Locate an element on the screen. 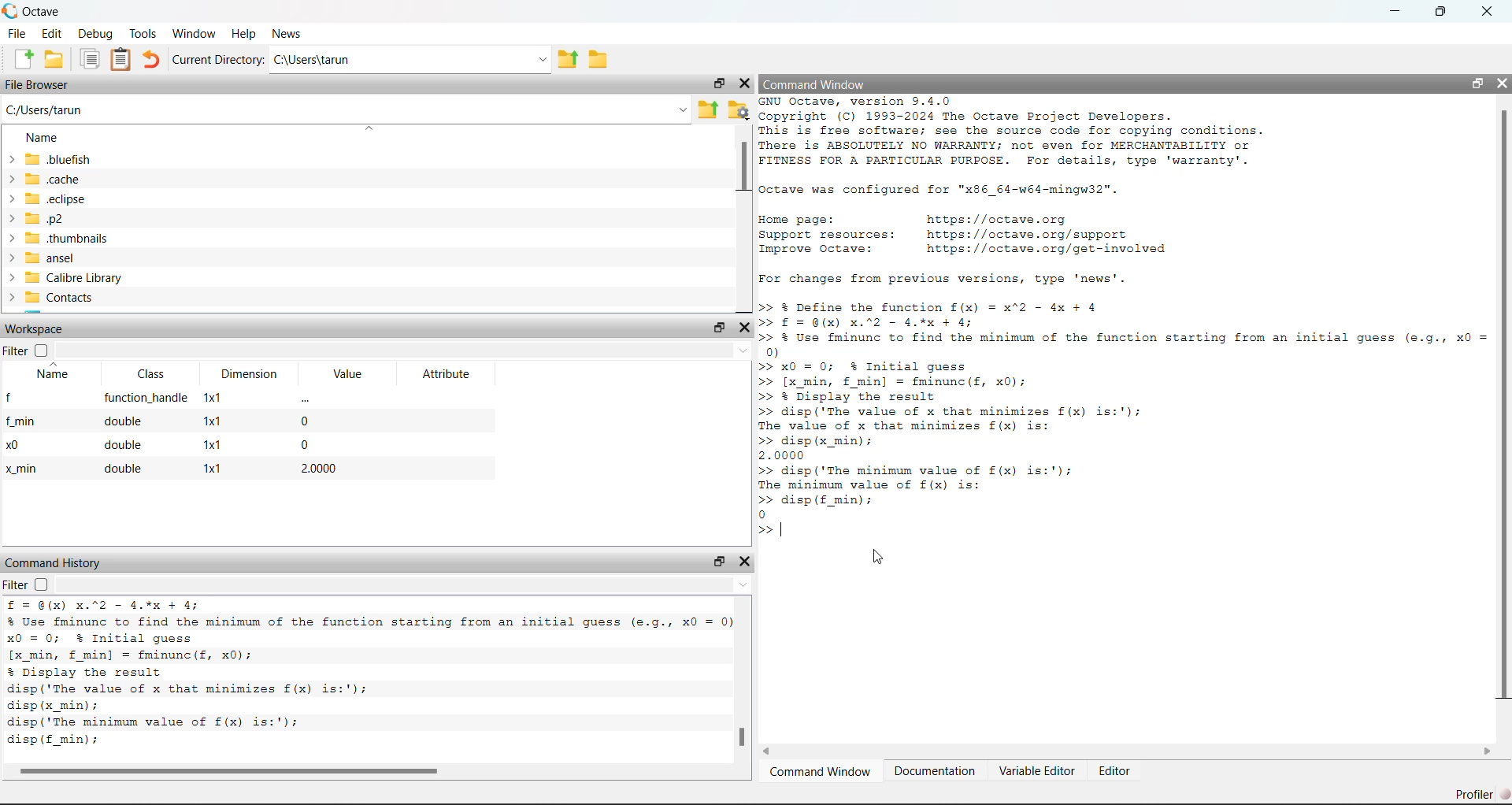  Copy is located at coordinates (91, 61).